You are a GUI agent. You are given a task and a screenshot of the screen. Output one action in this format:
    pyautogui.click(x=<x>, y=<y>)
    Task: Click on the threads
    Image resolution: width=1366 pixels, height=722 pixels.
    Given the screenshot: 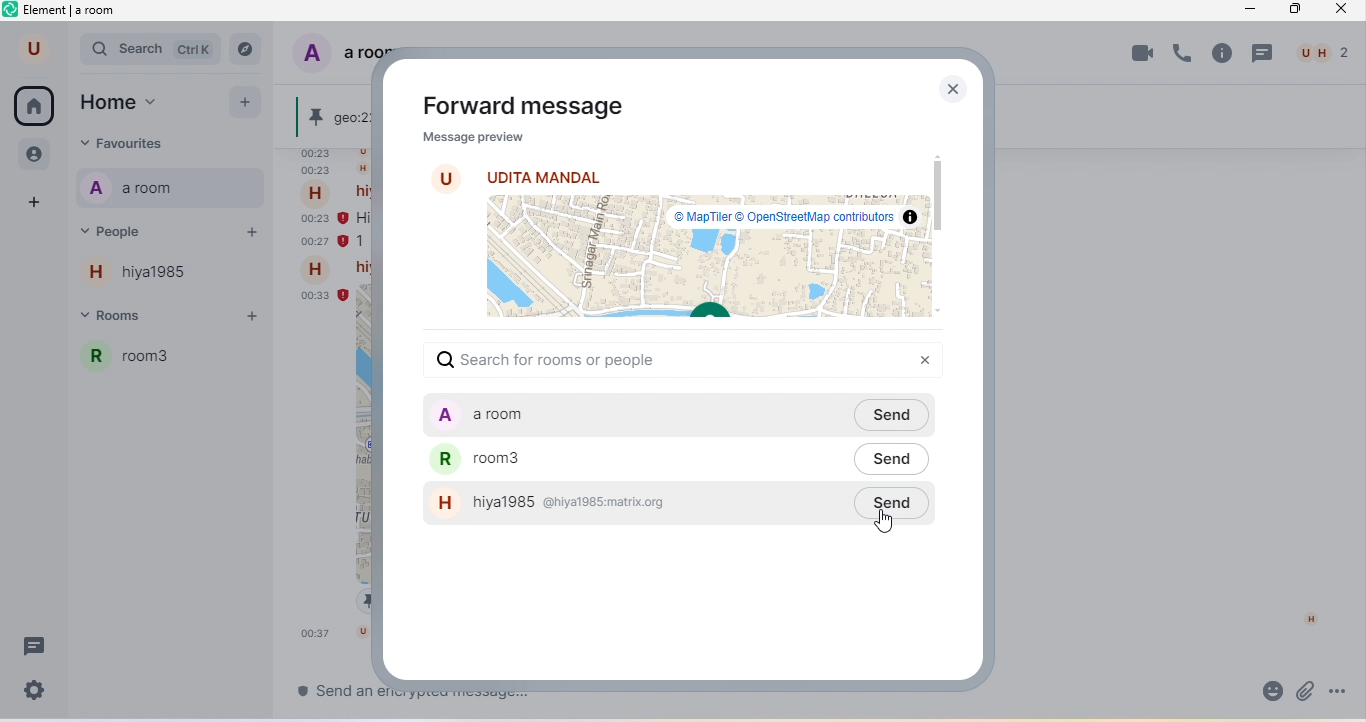 What is the action you would take?
    pyautogui.click(x=37, y=647)
    